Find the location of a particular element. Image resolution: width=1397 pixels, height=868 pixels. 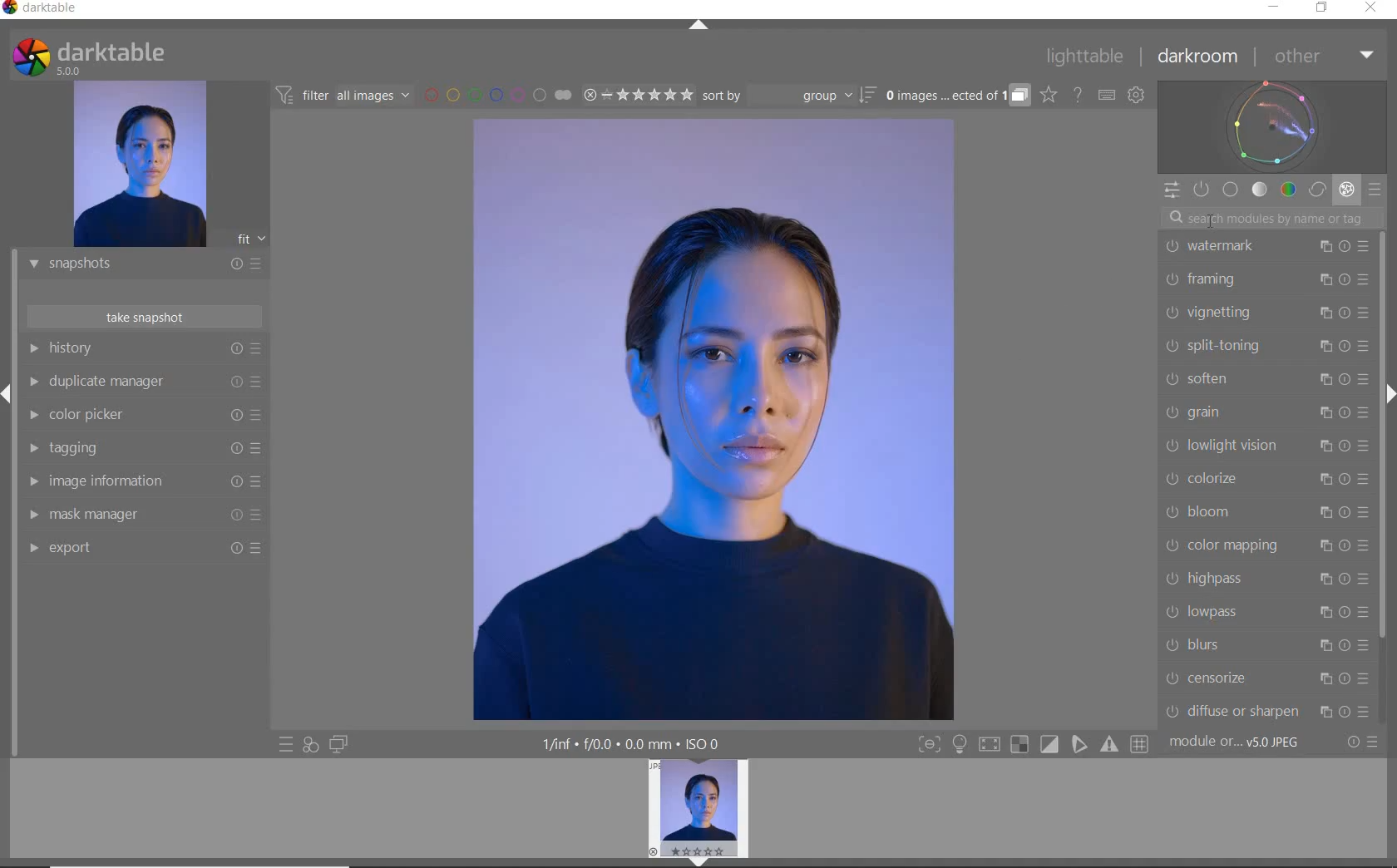

QUICK ACCESS FOR APPLYING ANY OF YOUR STYLES is located at coordinates (309, 744).